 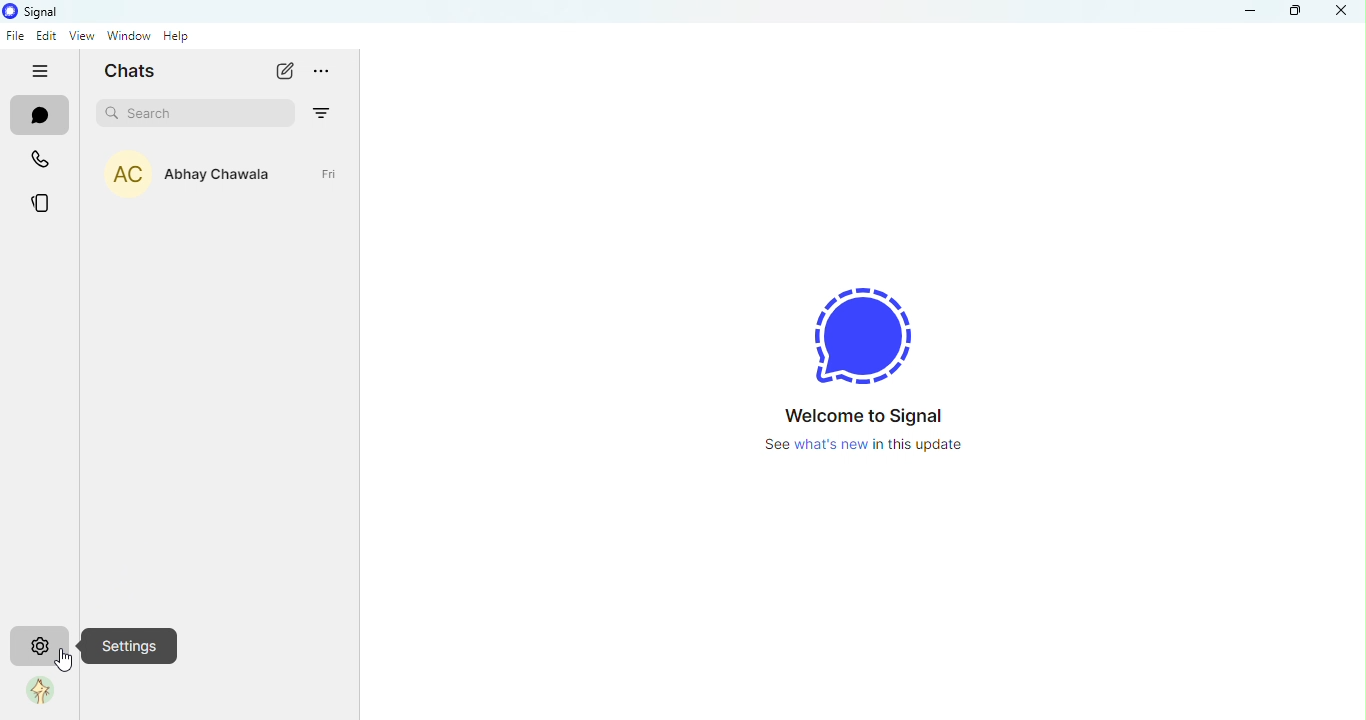 What do you see at coordinates (879, 429) in the screenshot?
I see `text` at bounding box center [879, 429].